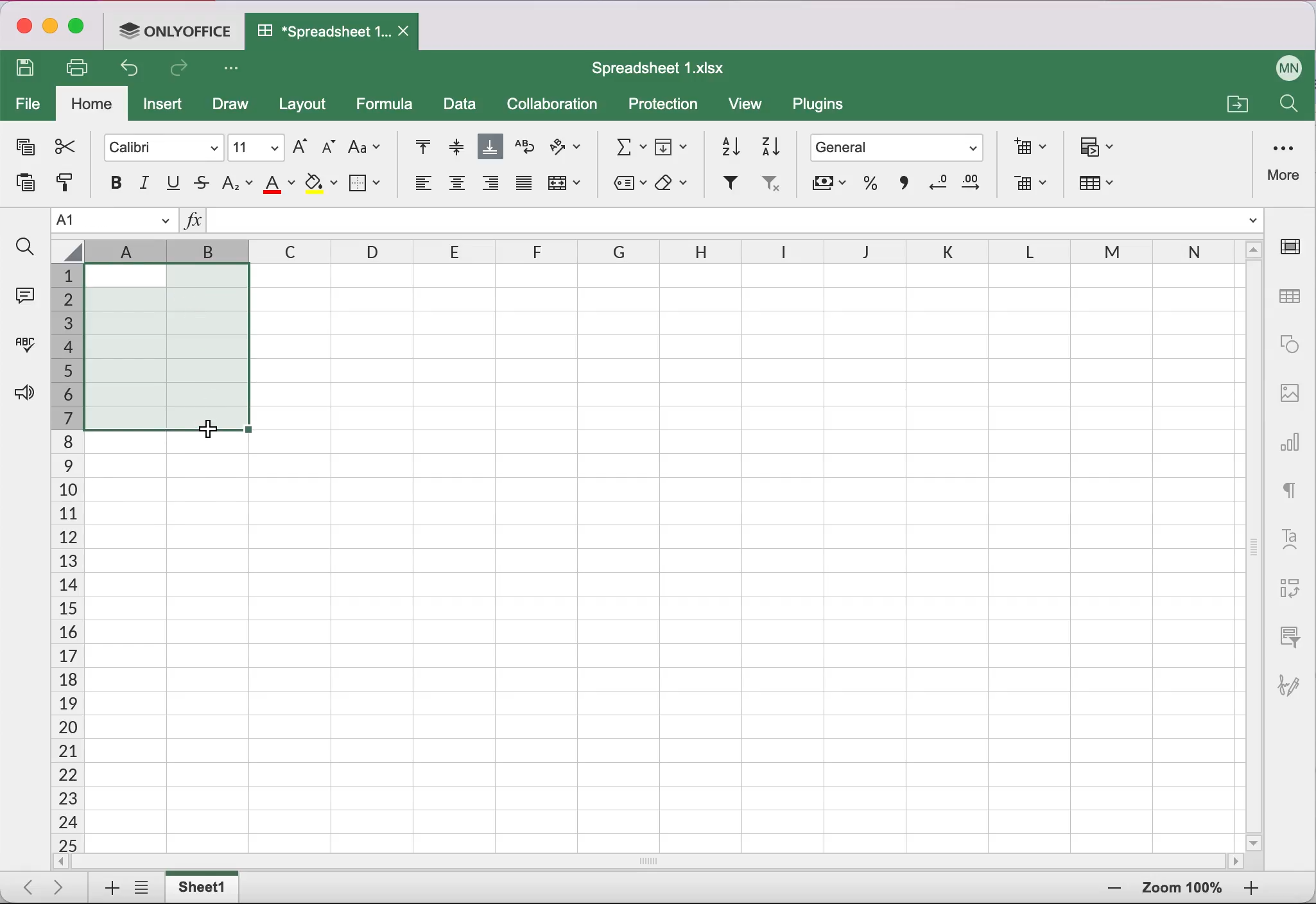  I want to click on align left, so click(420, 187).